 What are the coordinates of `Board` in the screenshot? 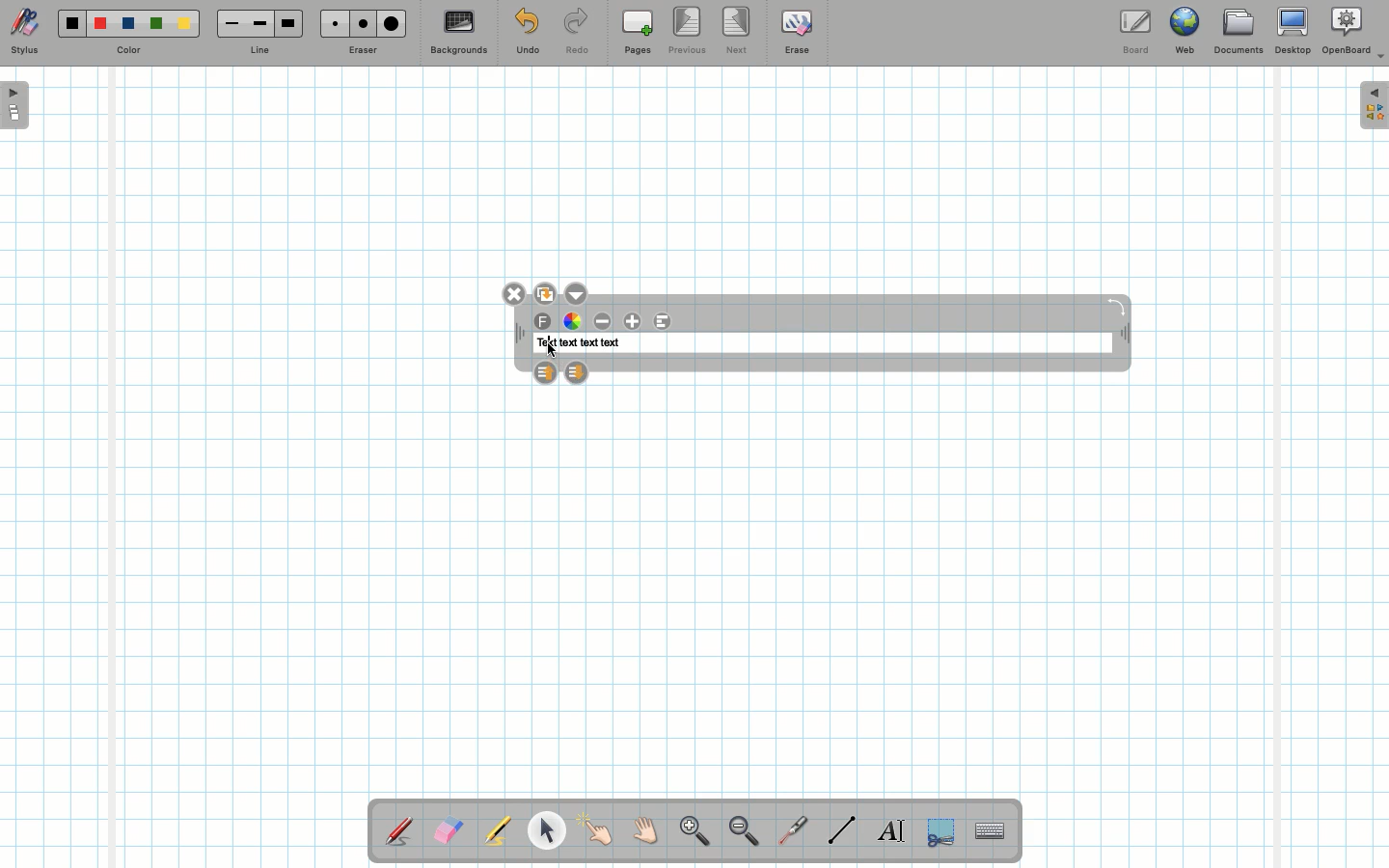 It's located at (1134, 32).